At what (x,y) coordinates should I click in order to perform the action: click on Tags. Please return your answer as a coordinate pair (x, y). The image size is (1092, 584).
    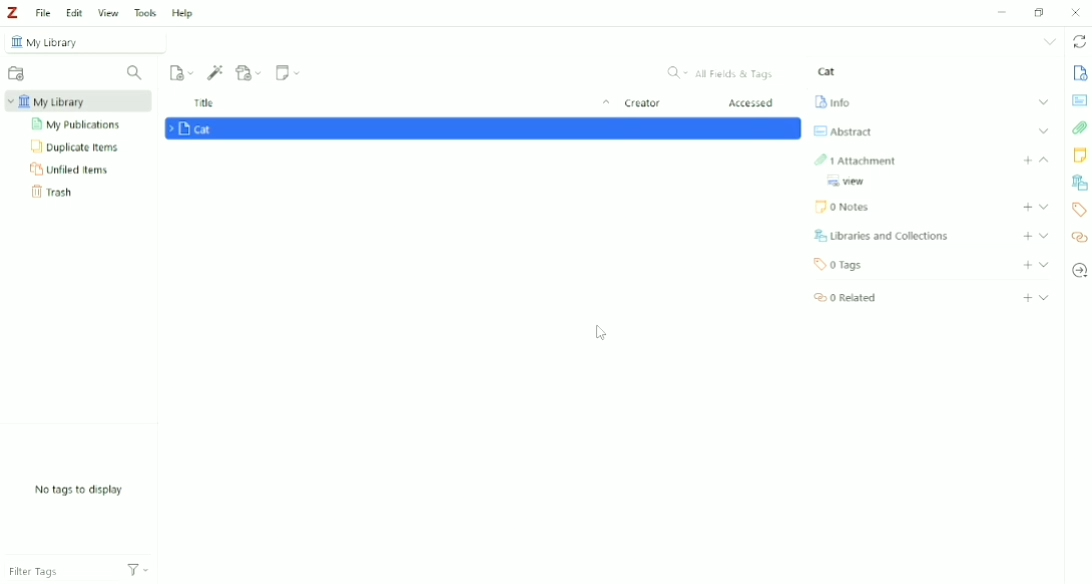
    Looking at the image, I should click on (842, 263).